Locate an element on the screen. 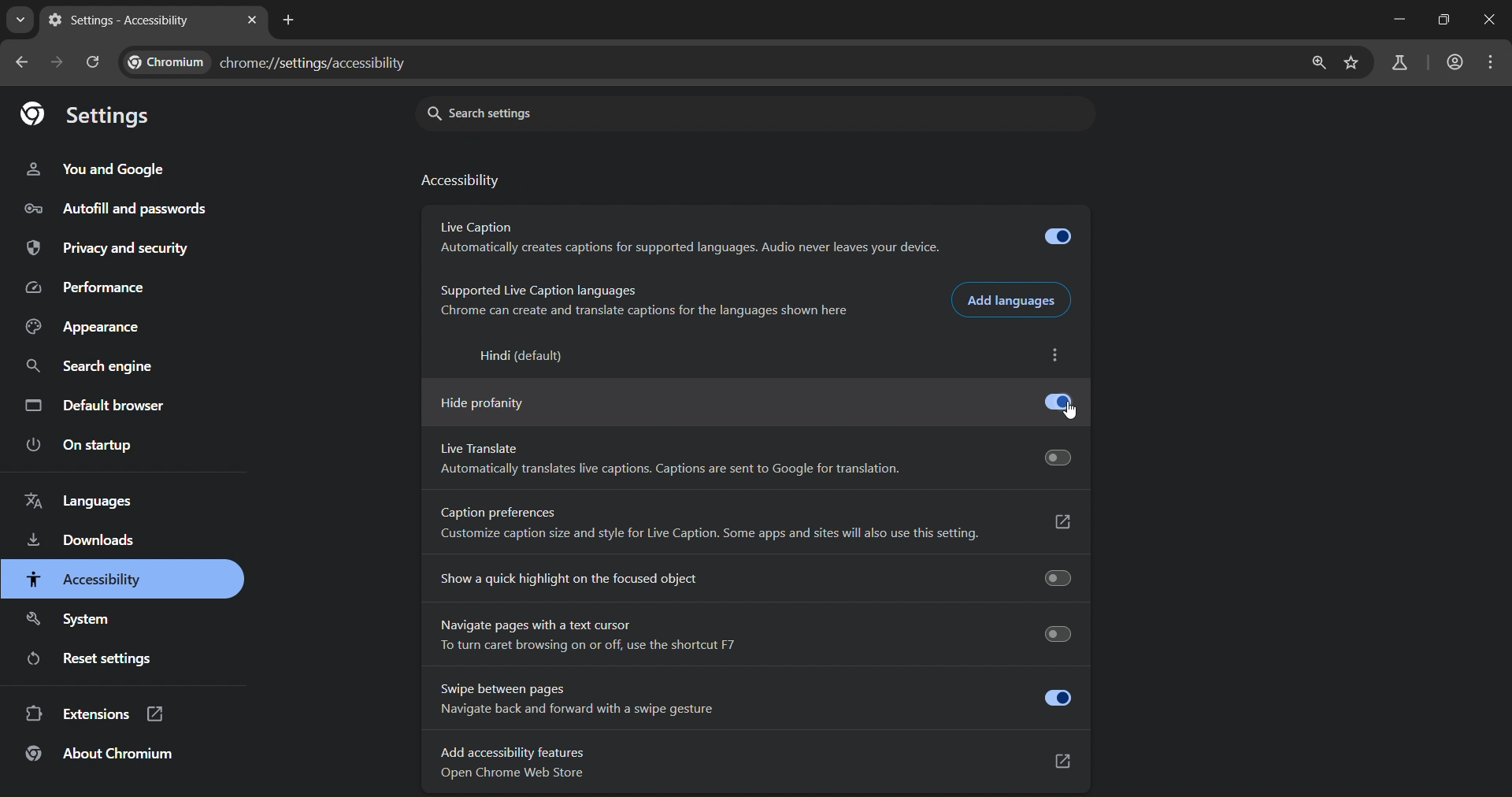 This screenshot has width=1512, height=797. search settings is located at coordinates (544, 113).